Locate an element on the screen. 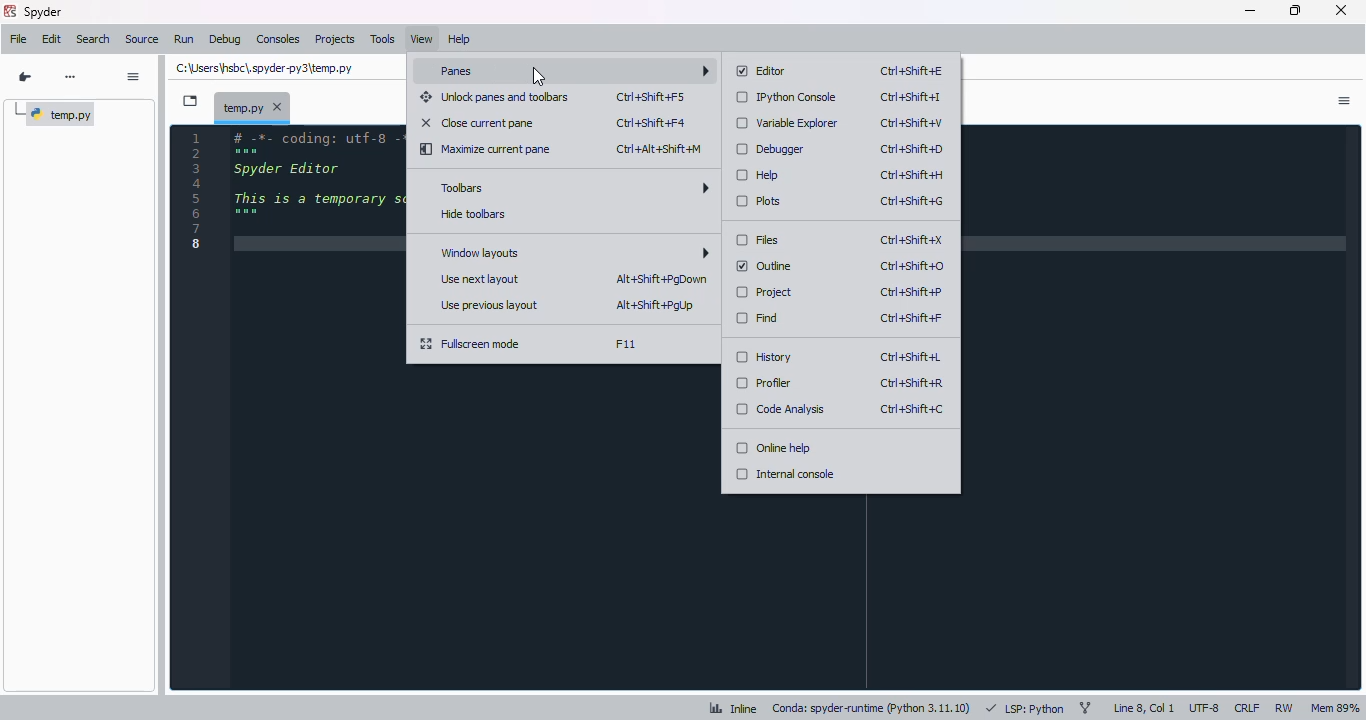  shortcut for outline is located at coordinates (911, 266).